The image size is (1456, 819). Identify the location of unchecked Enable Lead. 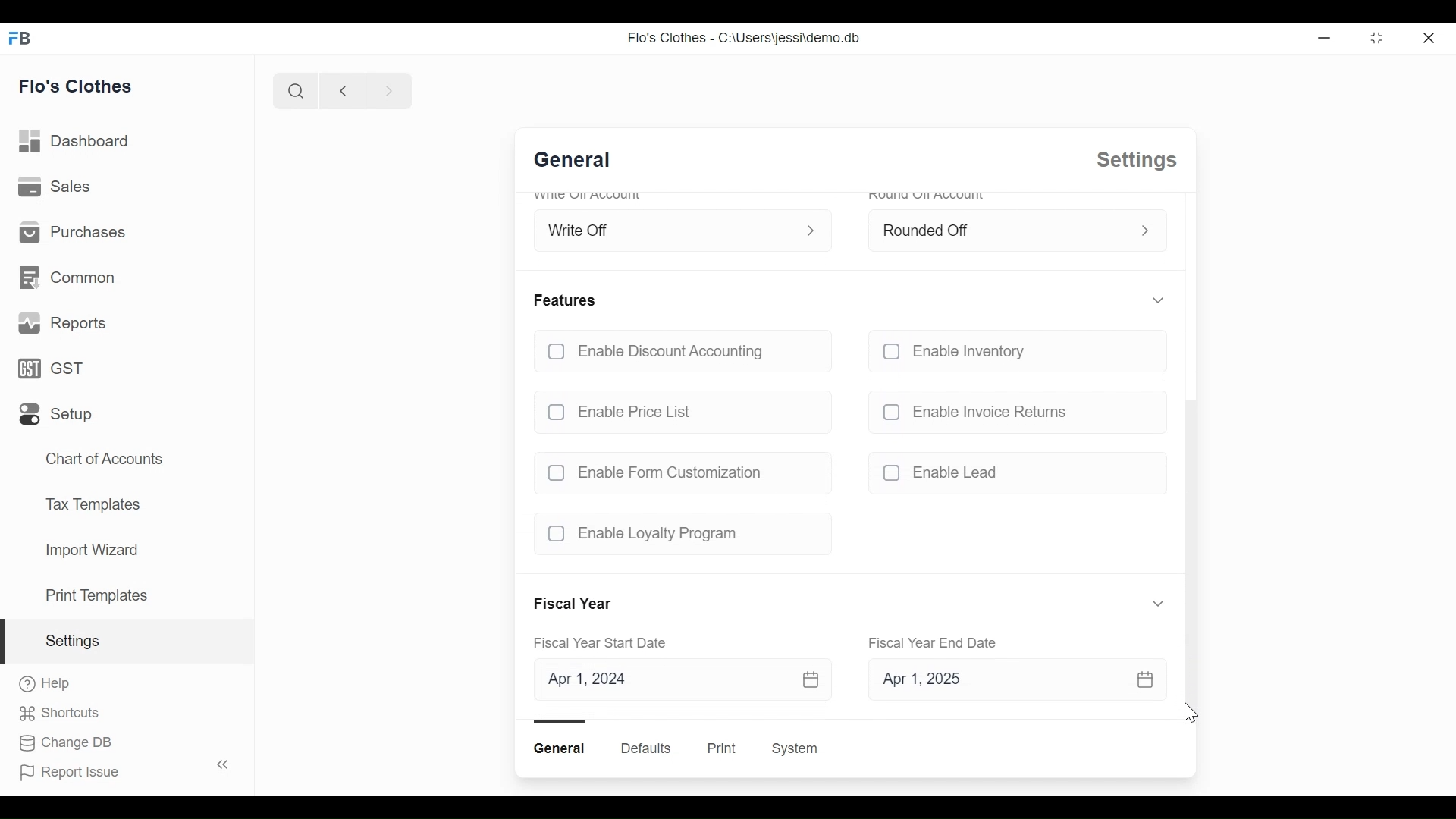
(1012, 475).